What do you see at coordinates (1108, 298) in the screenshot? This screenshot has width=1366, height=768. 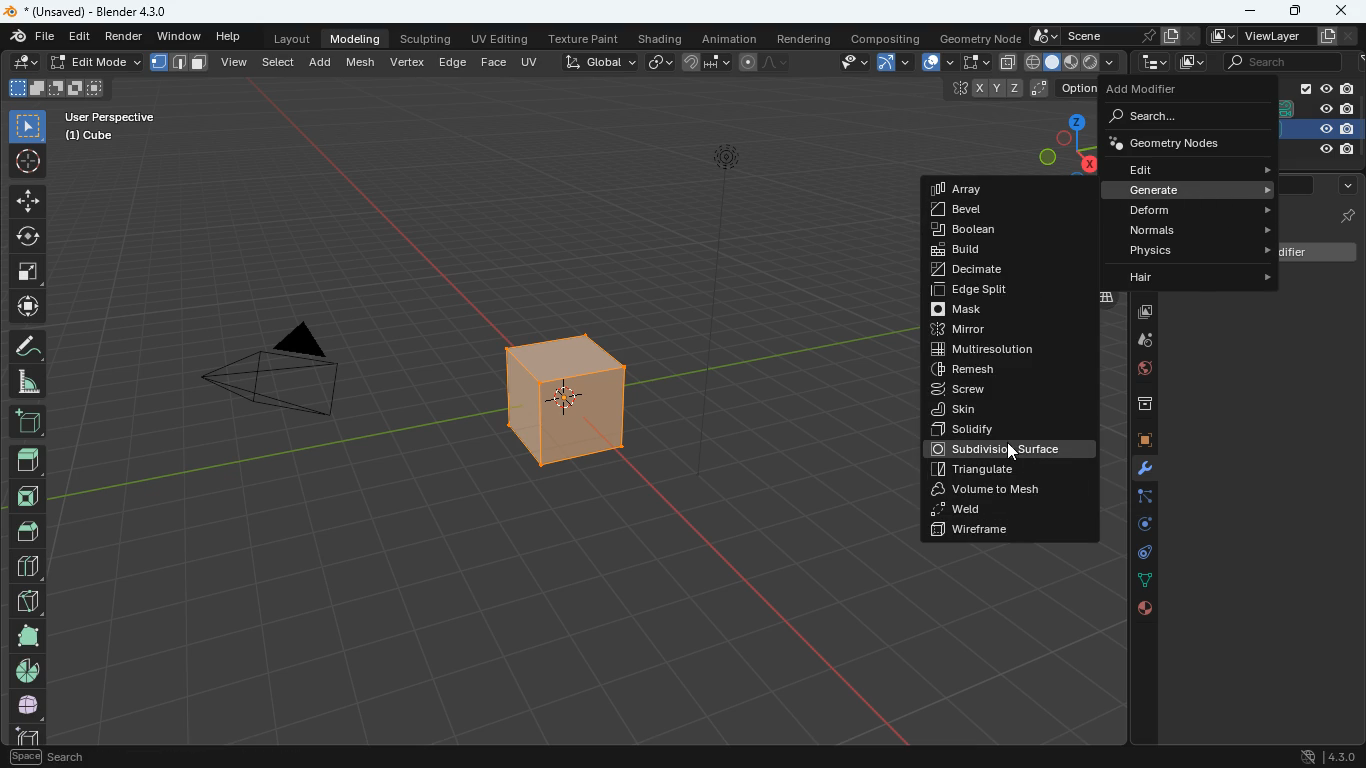 I see `layers` at bounding box center [1108, 298].